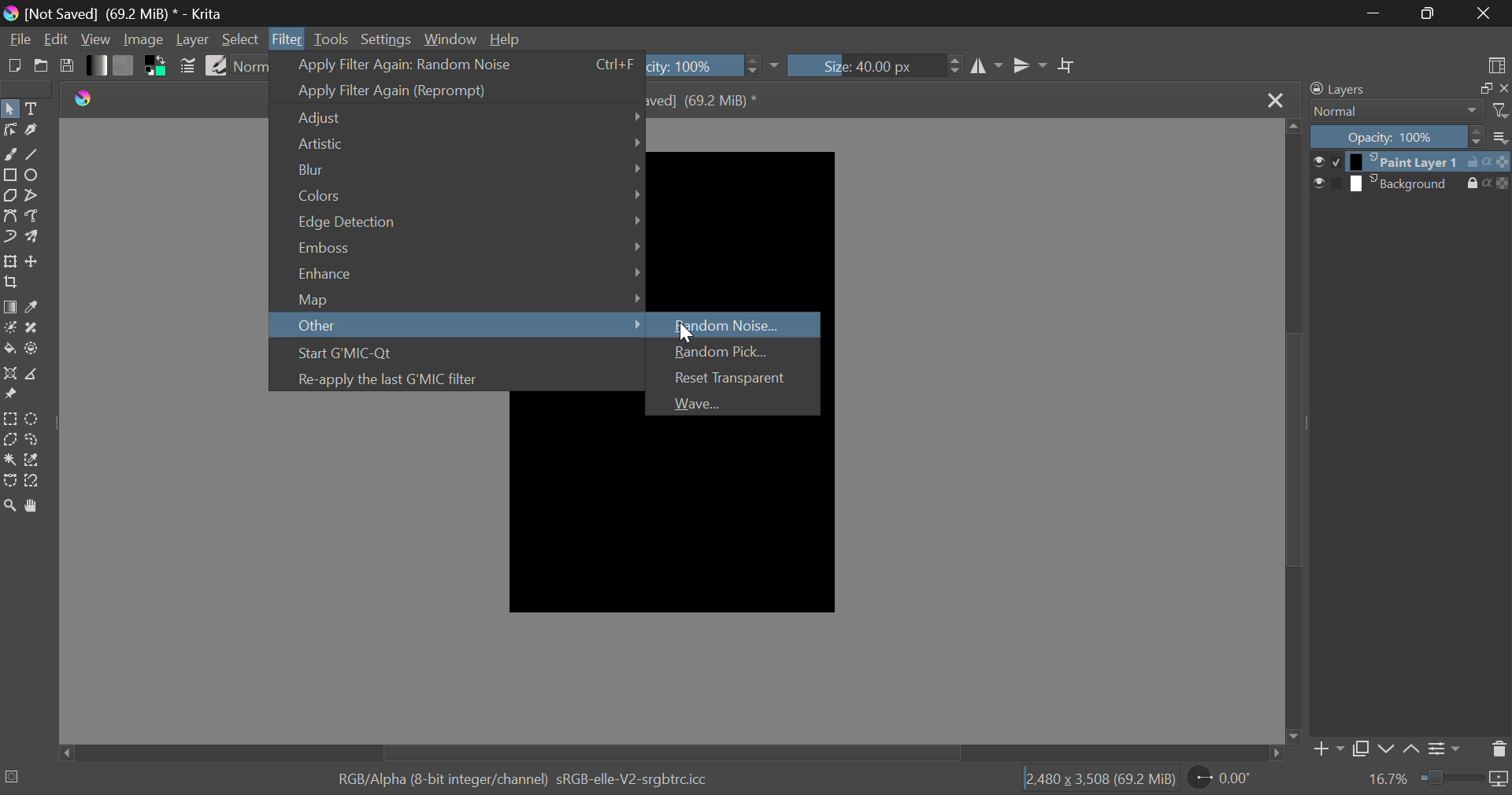 This screenshot has width=1512, height=795. Describe the element at coordinates (1223, 780) in the screenshot. I see `Page Rotation` at that location.